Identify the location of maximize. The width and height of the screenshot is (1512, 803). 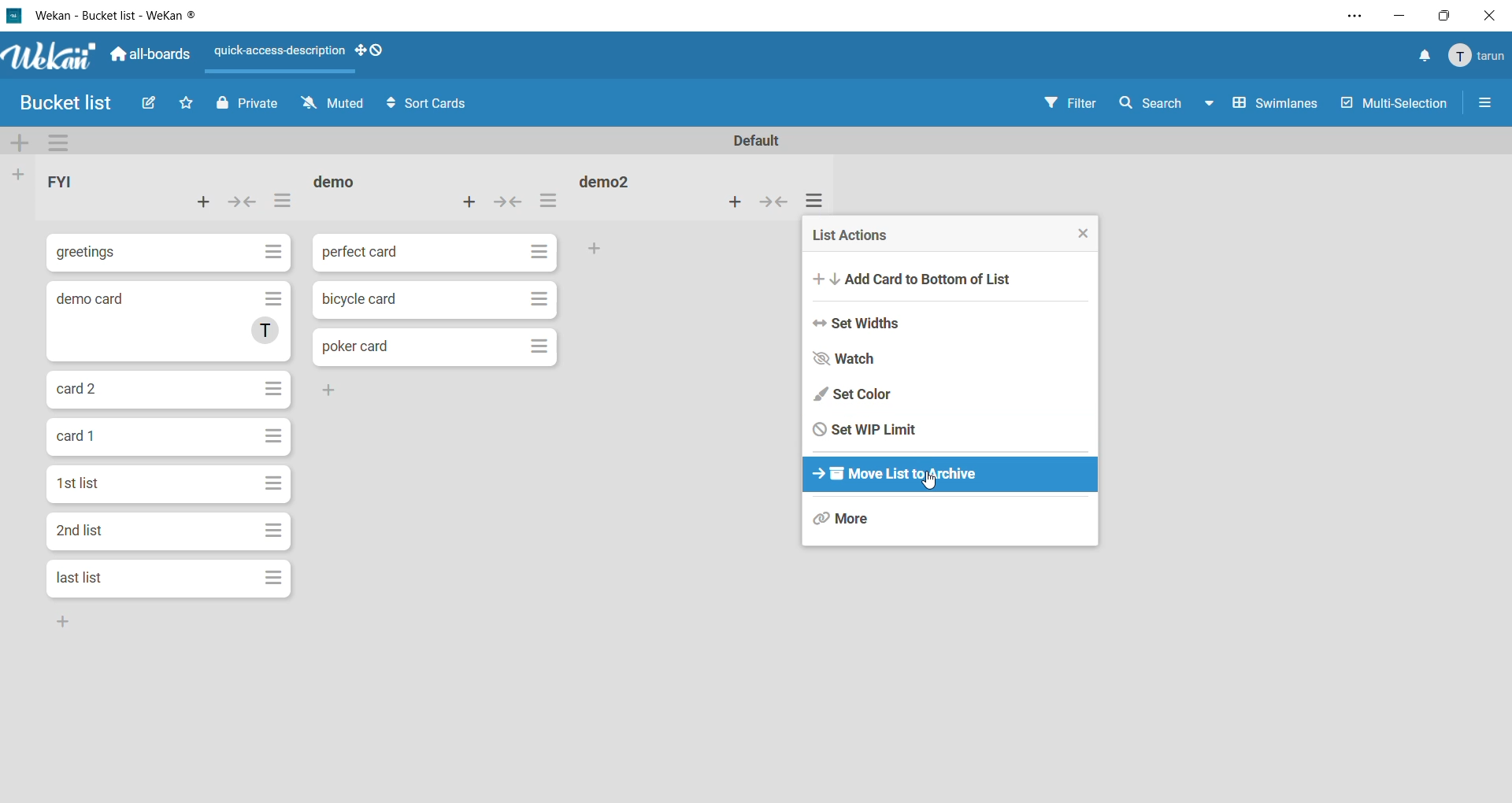
(1442, 17).